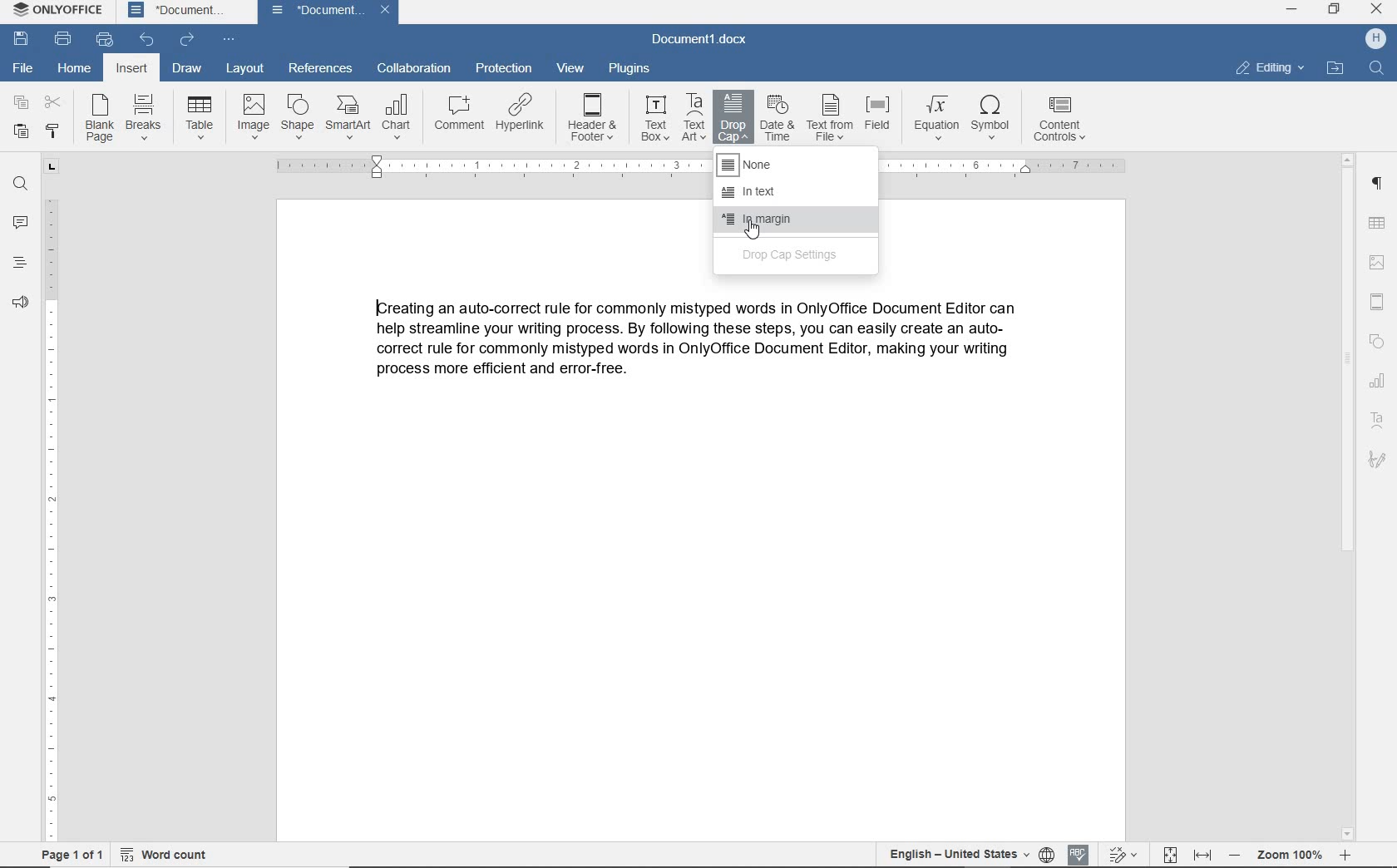 The height and width of the screenshot is (868, 1397). I want to click on chart, so click(1379, 382).